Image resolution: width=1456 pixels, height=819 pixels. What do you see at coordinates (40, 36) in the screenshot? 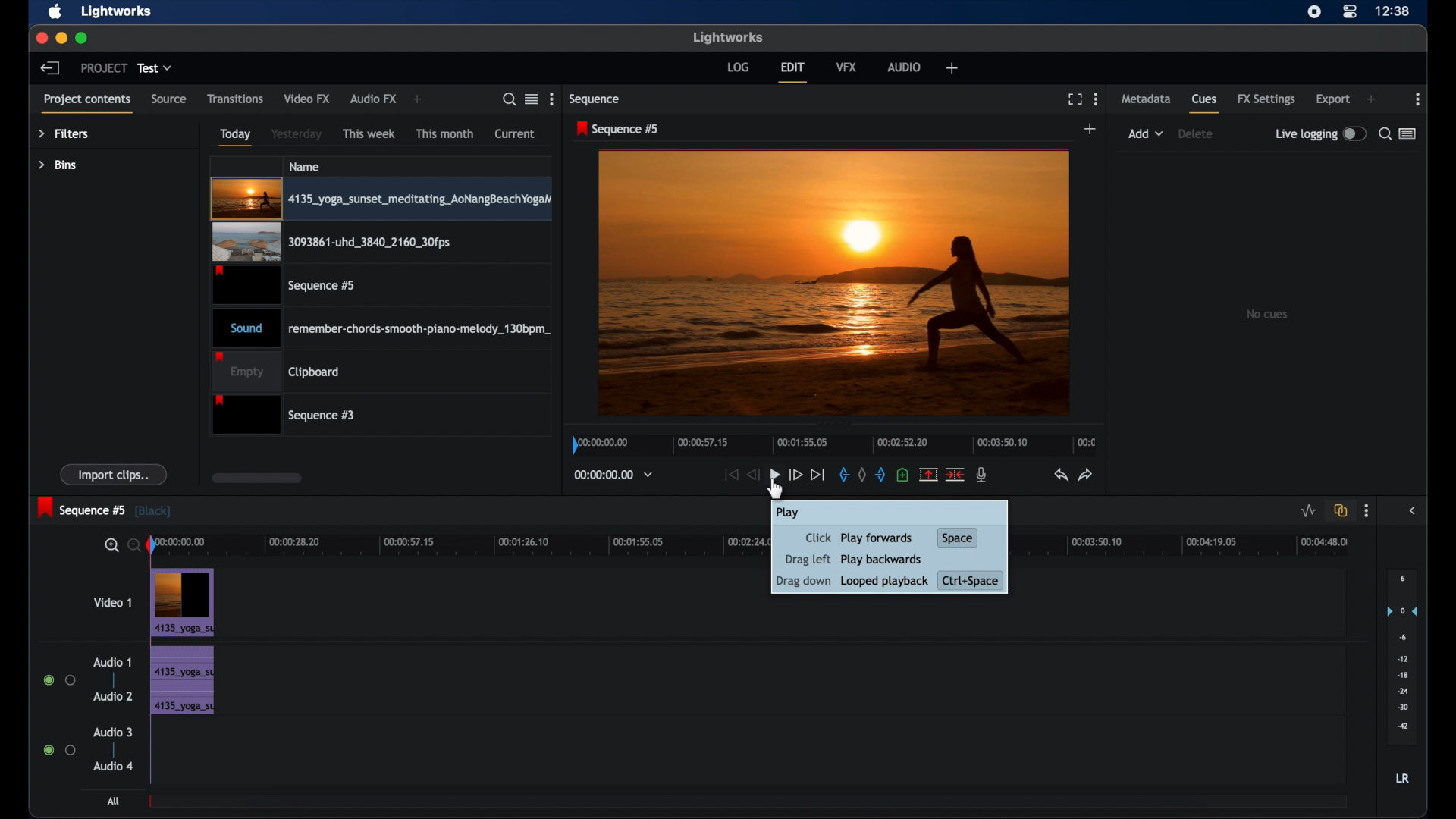
I see `close` at bounding box center [40, 36].